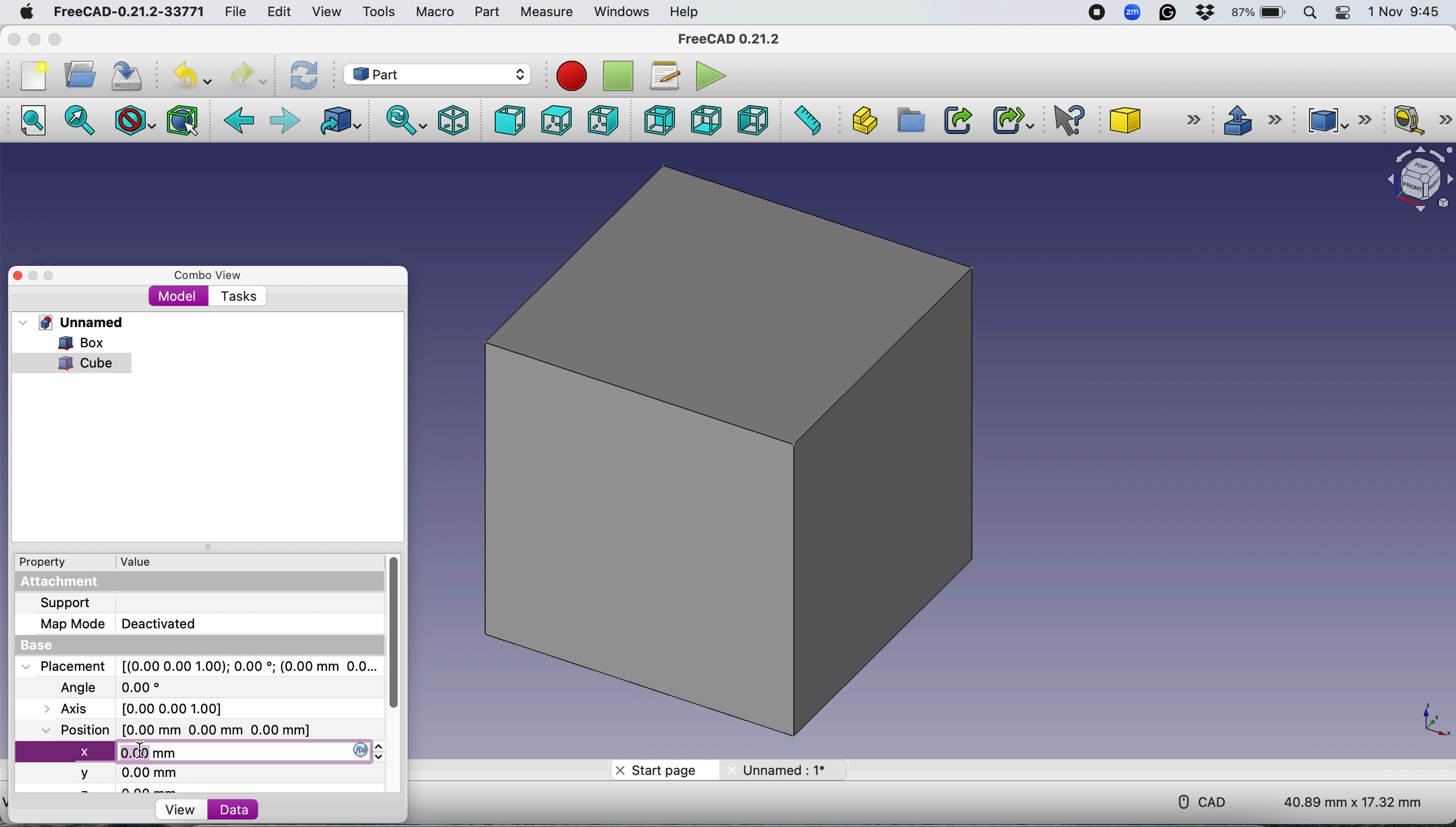  I want to click on screen recorder, so click(1095, 13).